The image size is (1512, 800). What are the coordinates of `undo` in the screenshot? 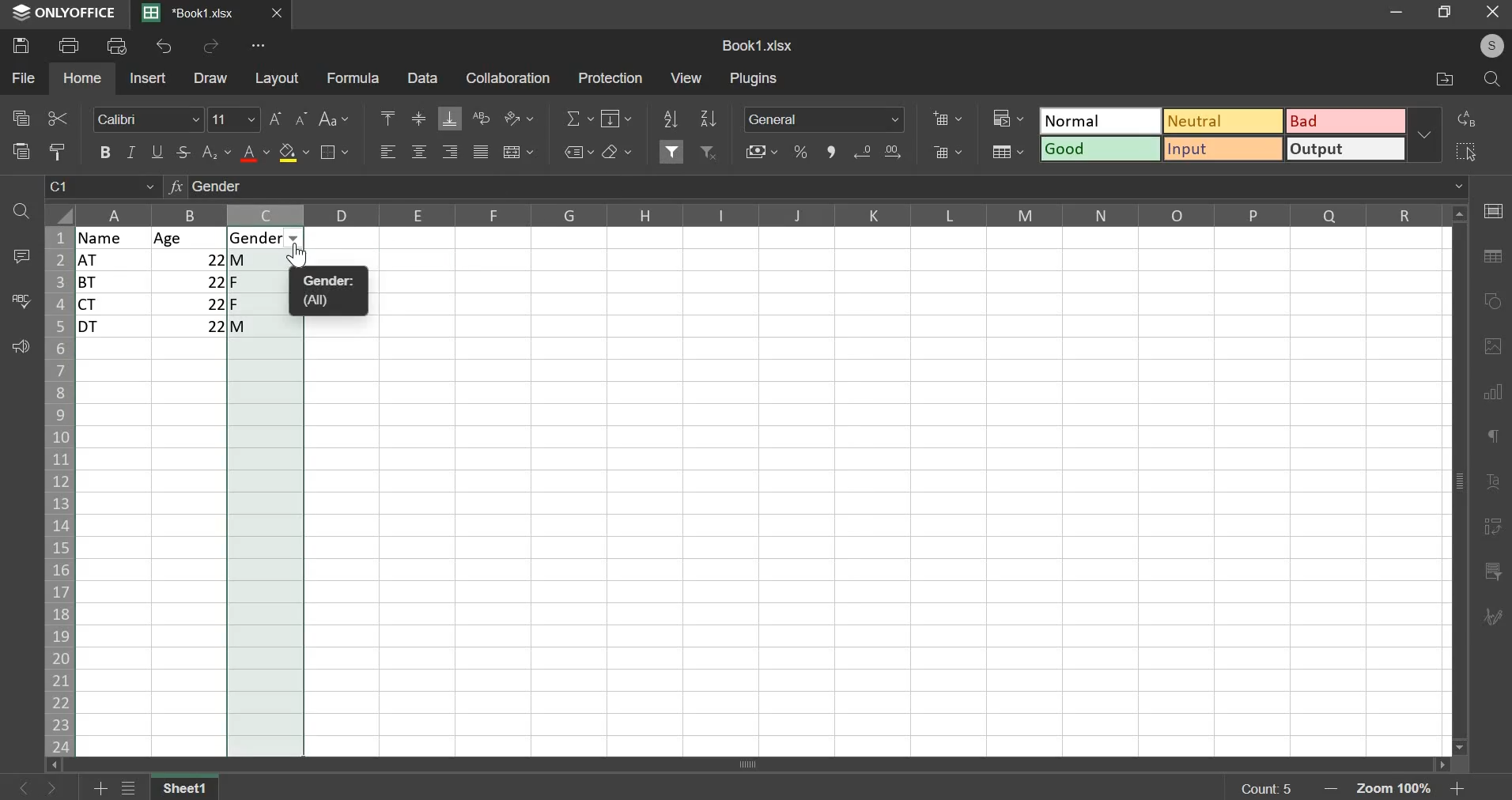 It's located at (164, 47).